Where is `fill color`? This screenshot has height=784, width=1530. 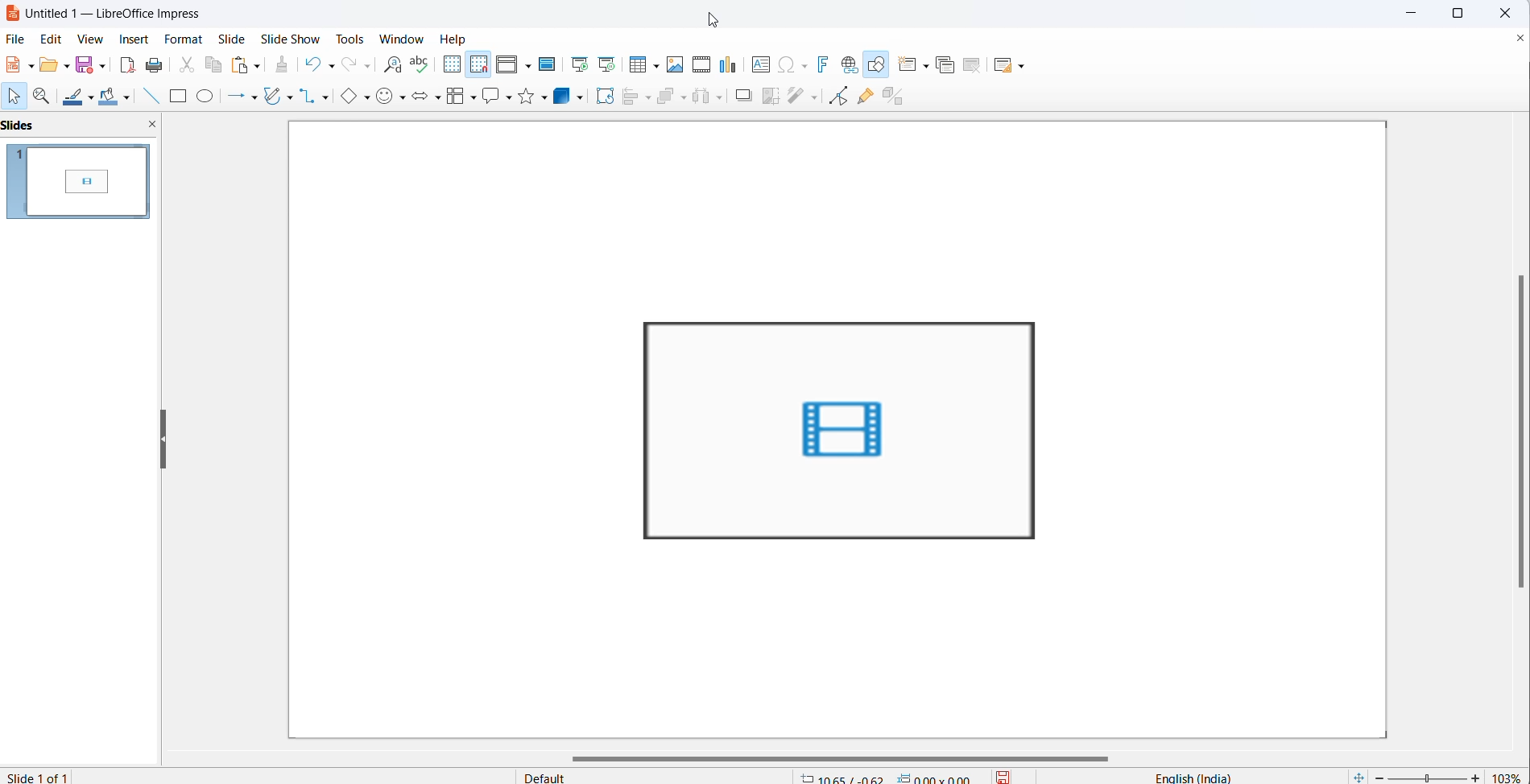
fill color is located at coordinates (108, 97).